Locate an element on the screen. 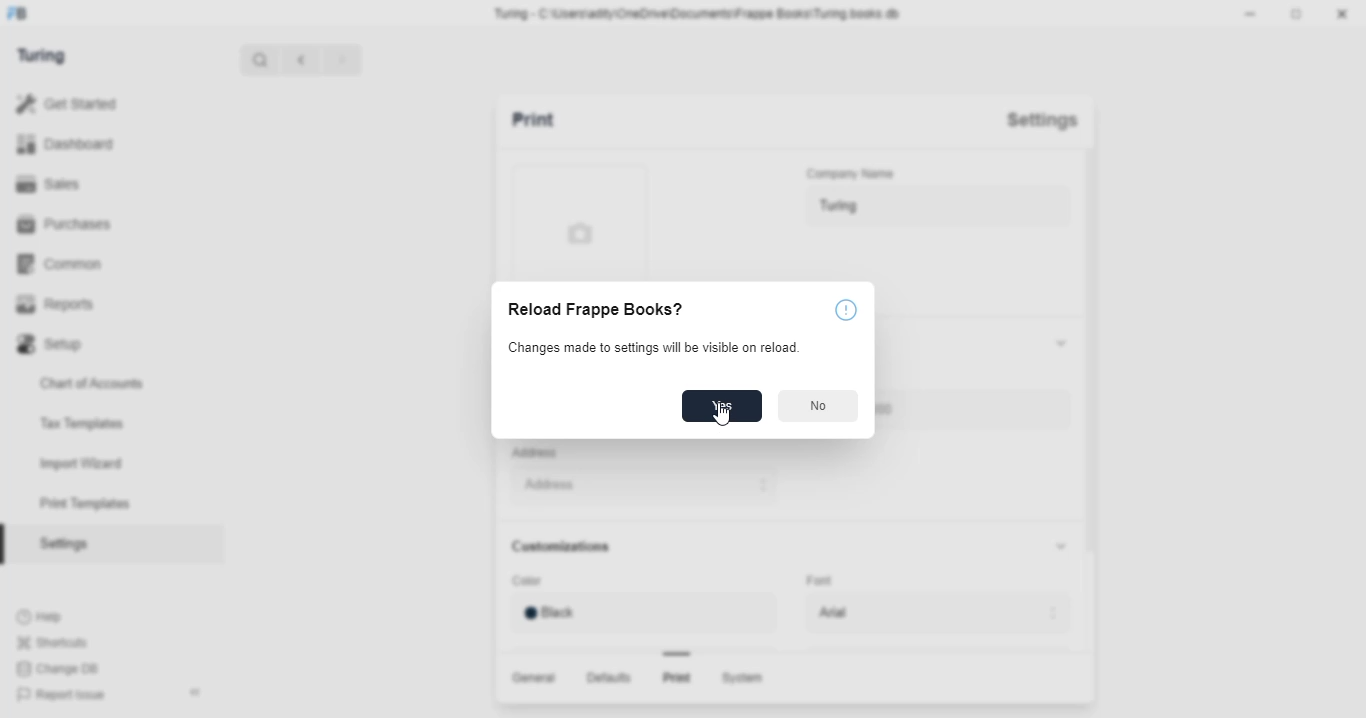 The height and width of the screenshot is (718, 1366). Color is located at coordinates (565, 580).